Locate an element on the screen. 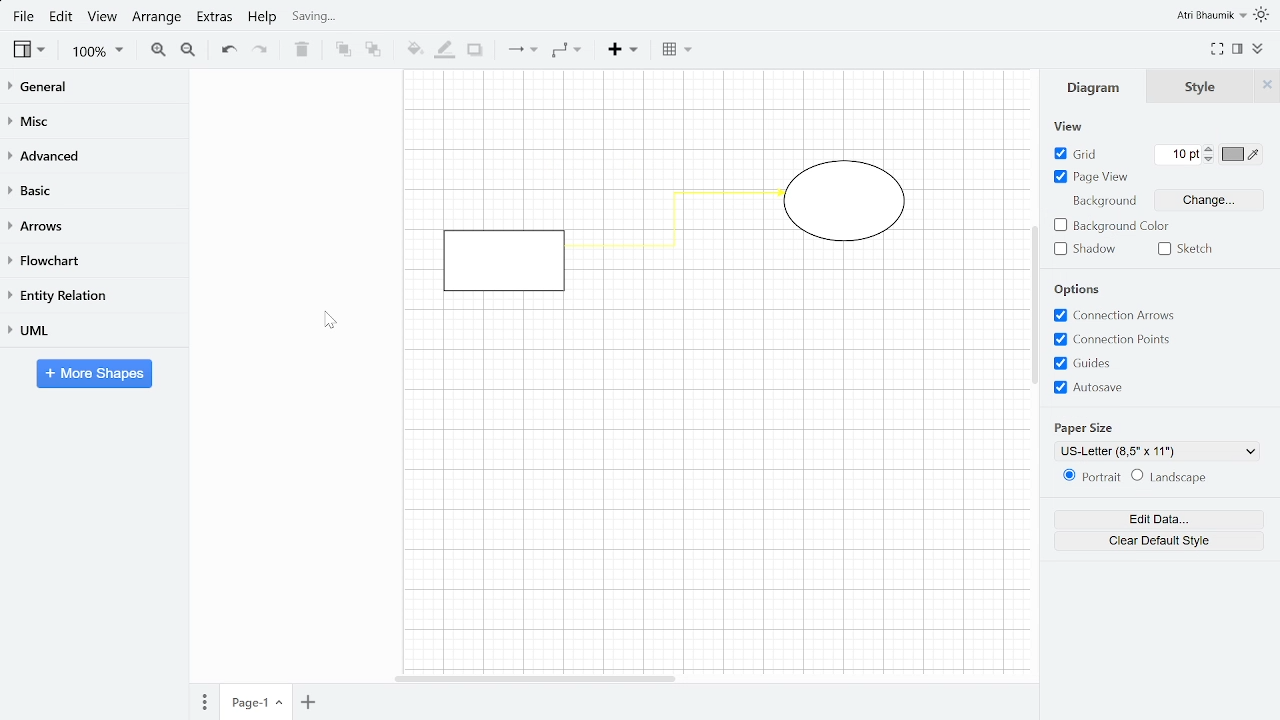  UML is located at coordinates (90, 330).